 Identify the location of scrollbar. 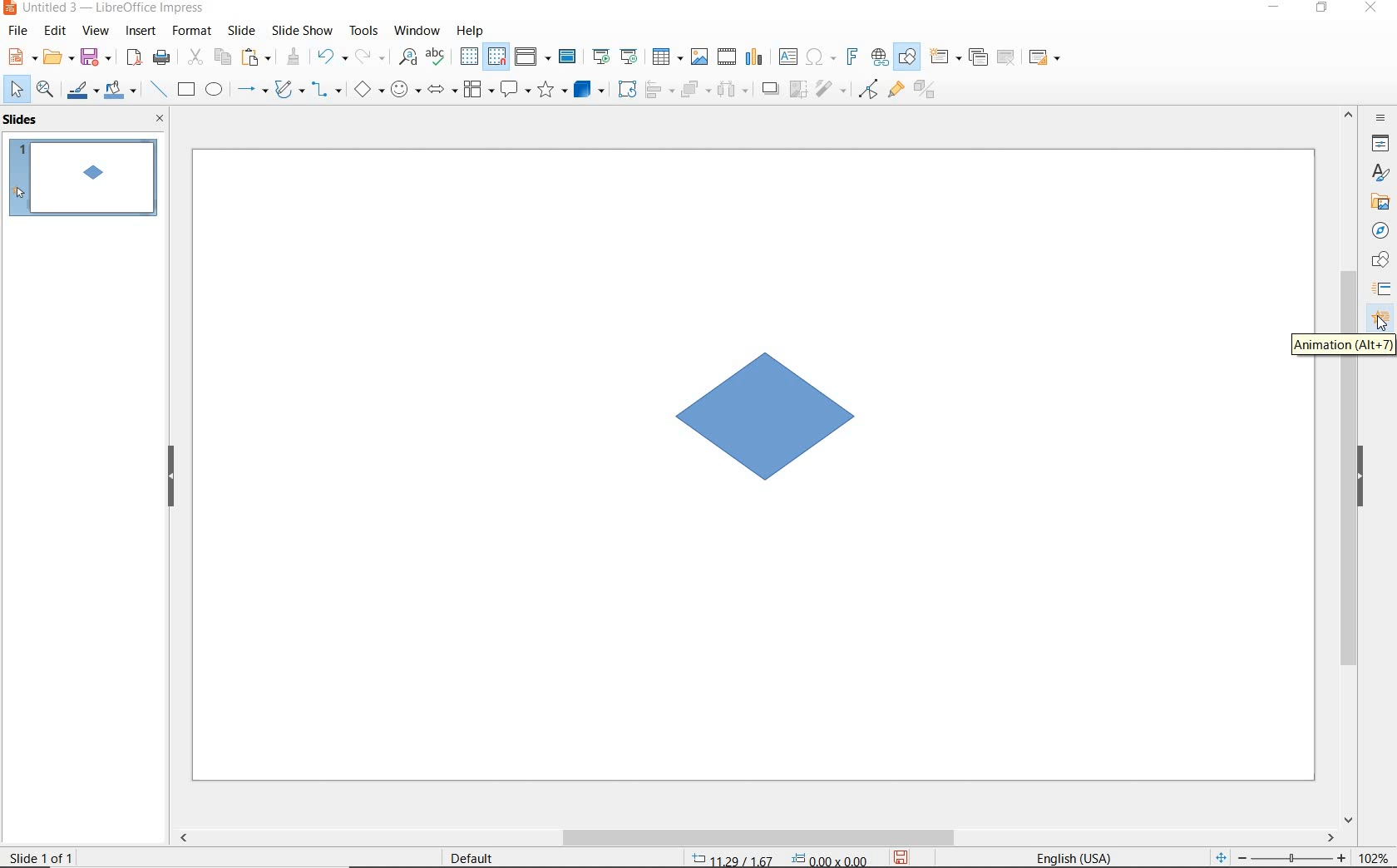
(761, 836).